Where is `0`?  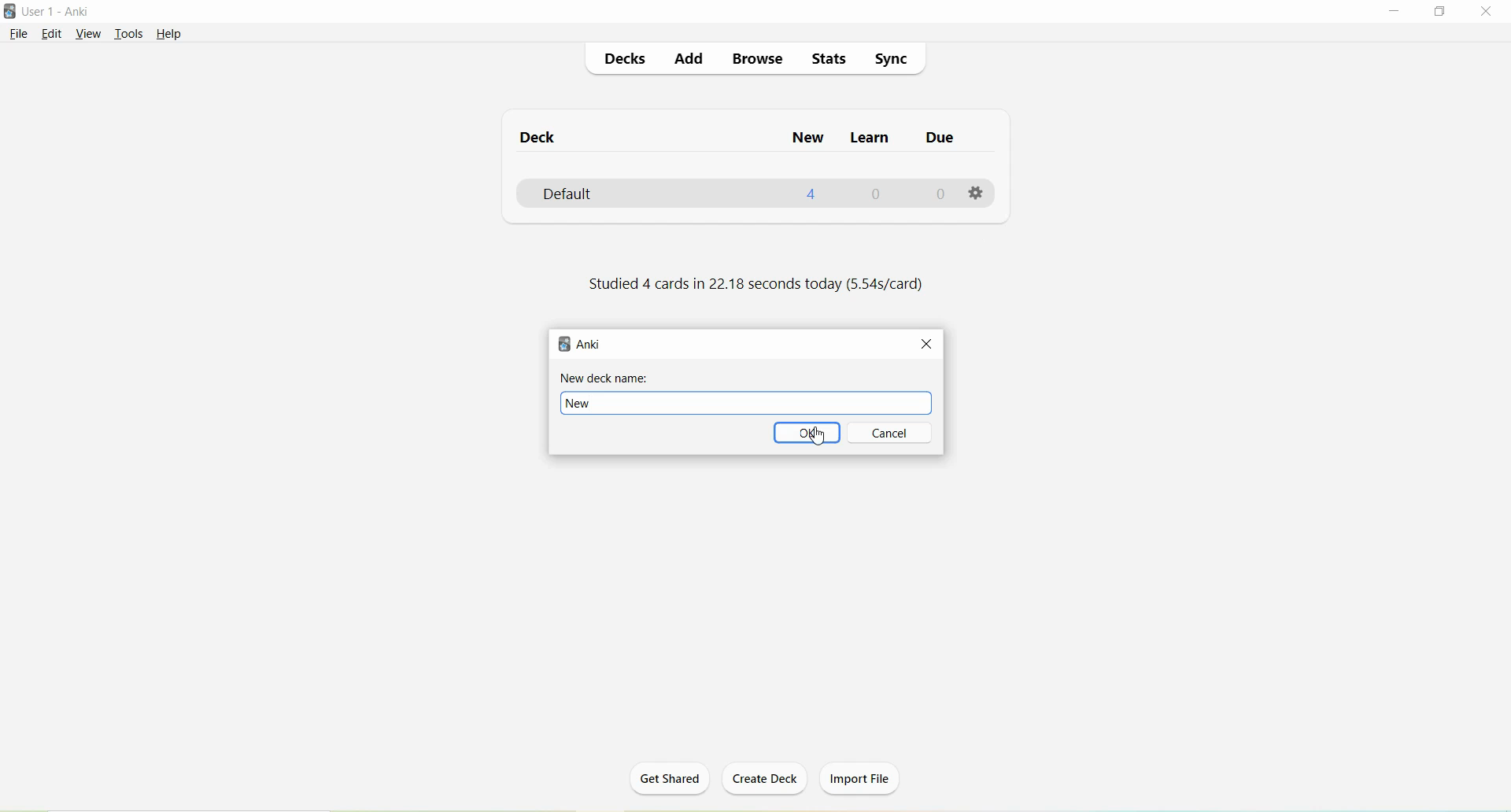
0 is located at coordinates (877, 194).